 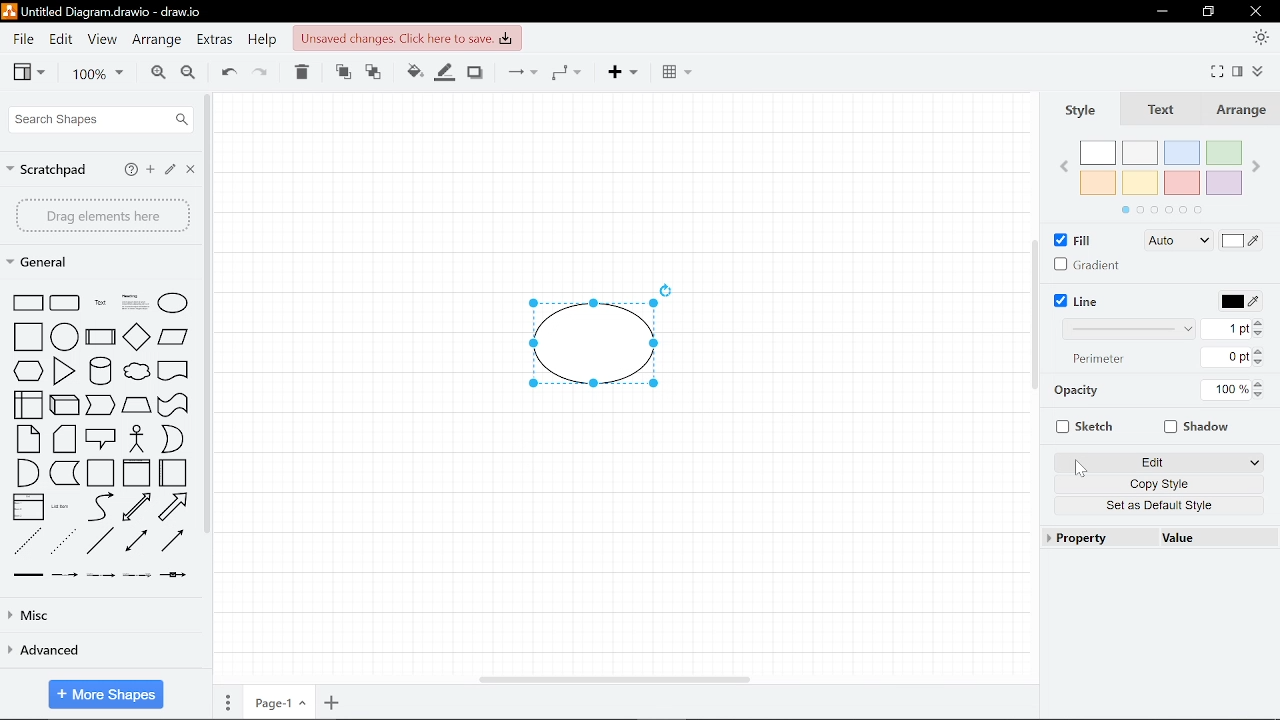 What do you see at coordinates (64, 474) in the screenshot?
I see `data storage` at bounding box center [64, 474].